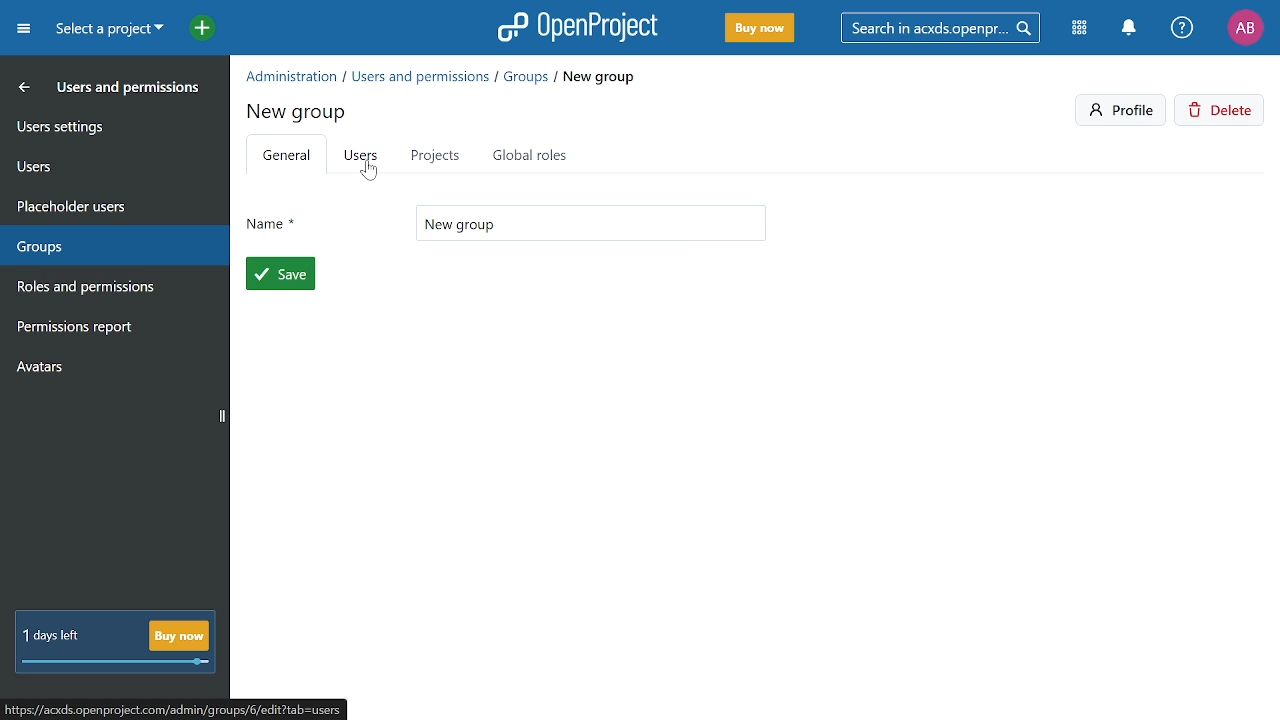 This screenshot has width=1280, height=720. What do you see at coordinates (189, 708) in the screenshot?
I see `path` at bounding box center [189, 708].